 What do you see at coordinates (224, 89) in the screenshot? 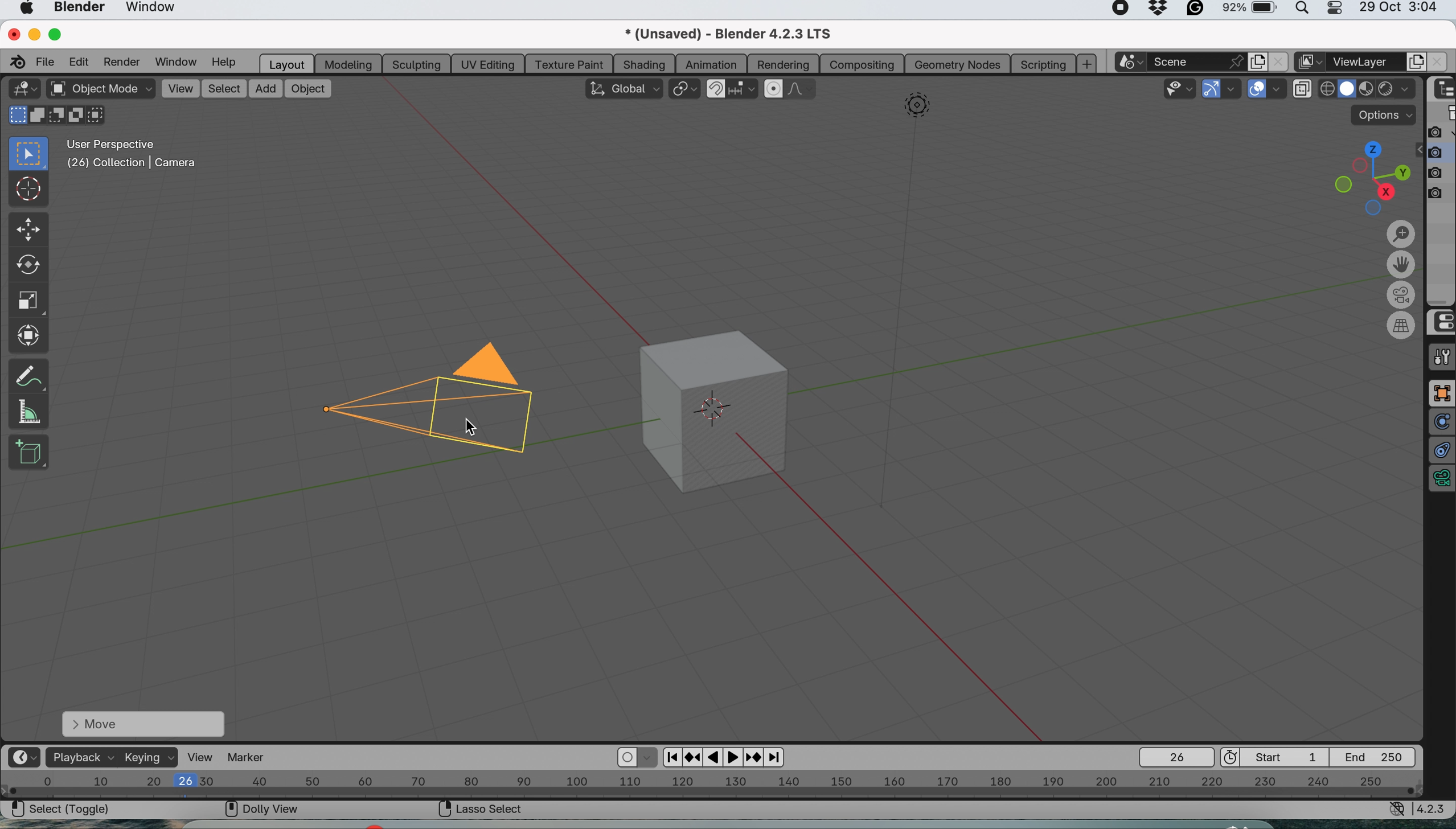
I see `select` at bounding box center [224, 89].